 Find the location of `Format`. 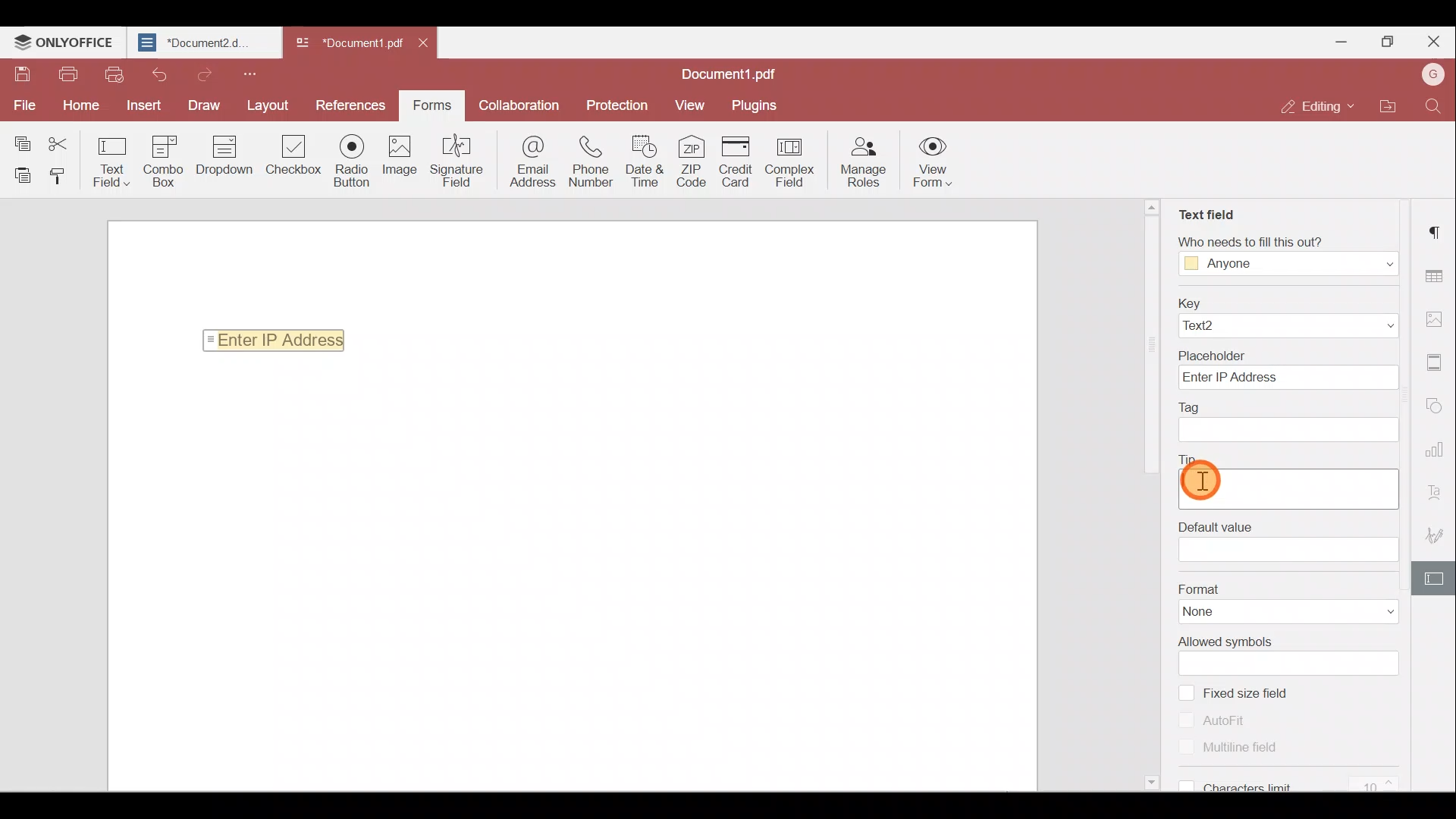

Format is located at coordinates (1288, 588).